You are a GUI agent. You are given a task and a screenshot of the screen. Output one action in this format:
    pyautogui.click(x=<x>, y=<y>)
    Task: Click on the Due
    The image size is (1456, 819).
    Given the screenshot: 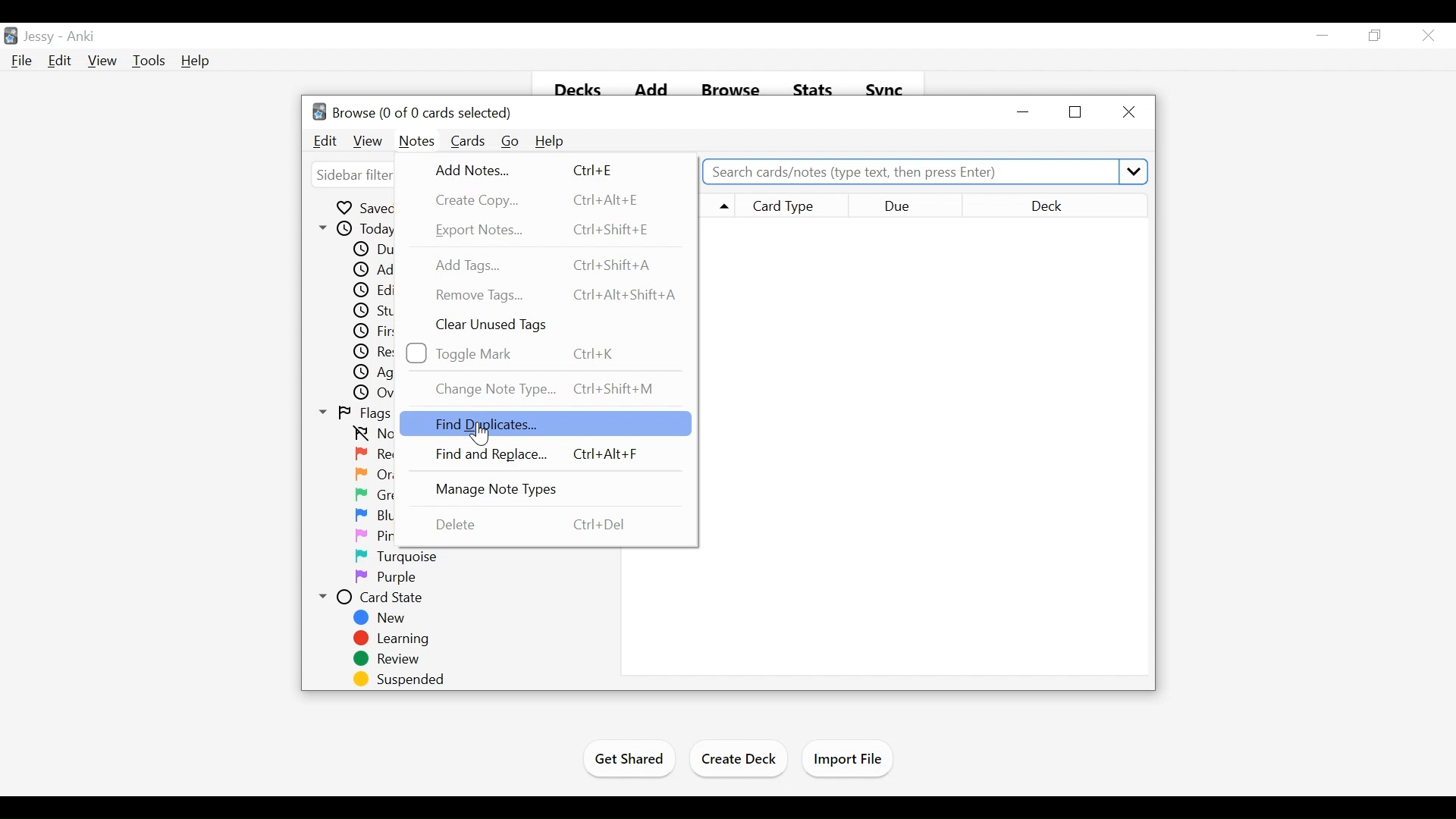 What is the action you would take?
    pyautogui.click(x=376, y=249)
    